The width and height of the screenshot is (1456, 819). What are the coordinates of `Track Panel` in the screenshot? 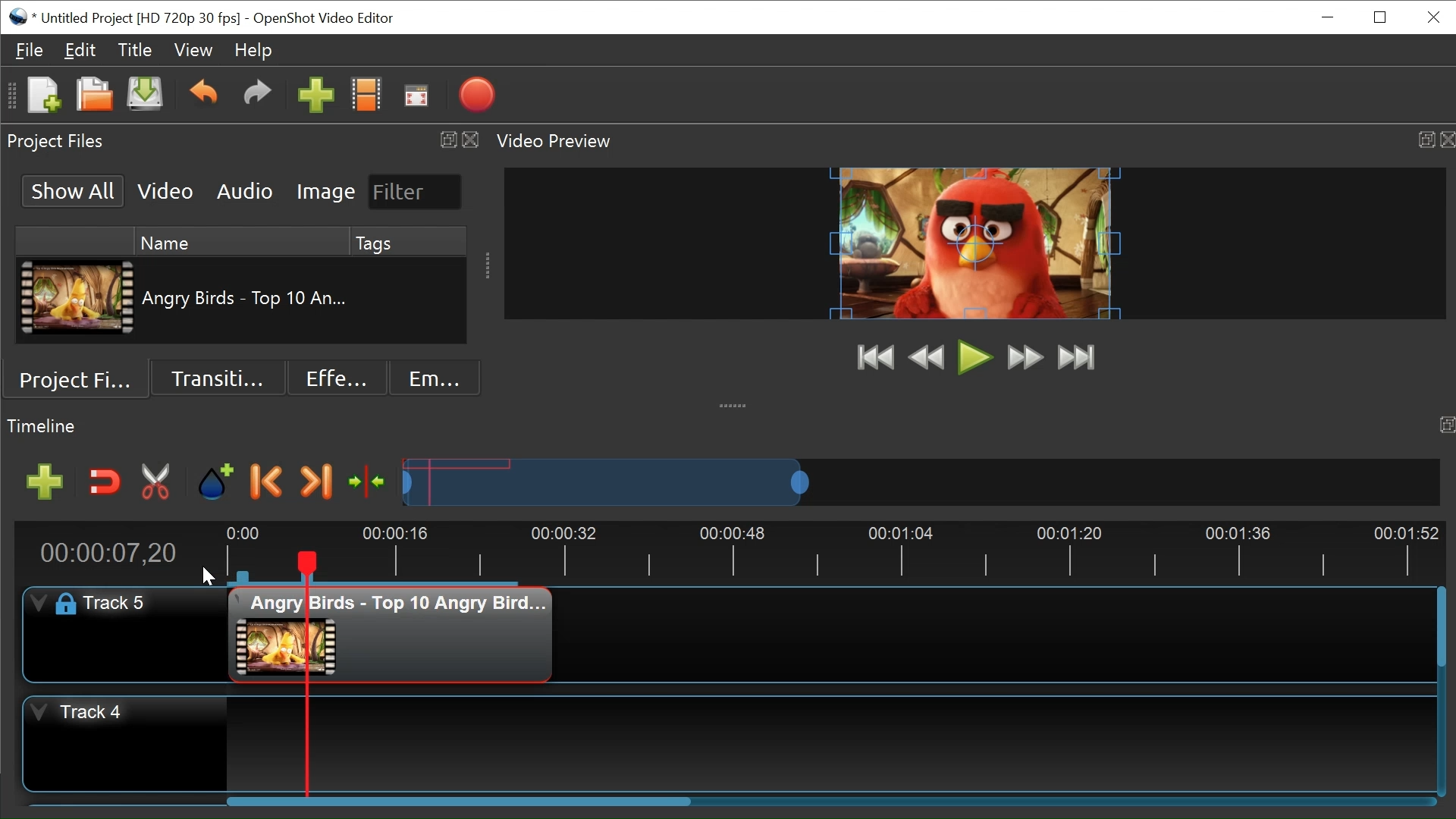 It's located at (823, 743).